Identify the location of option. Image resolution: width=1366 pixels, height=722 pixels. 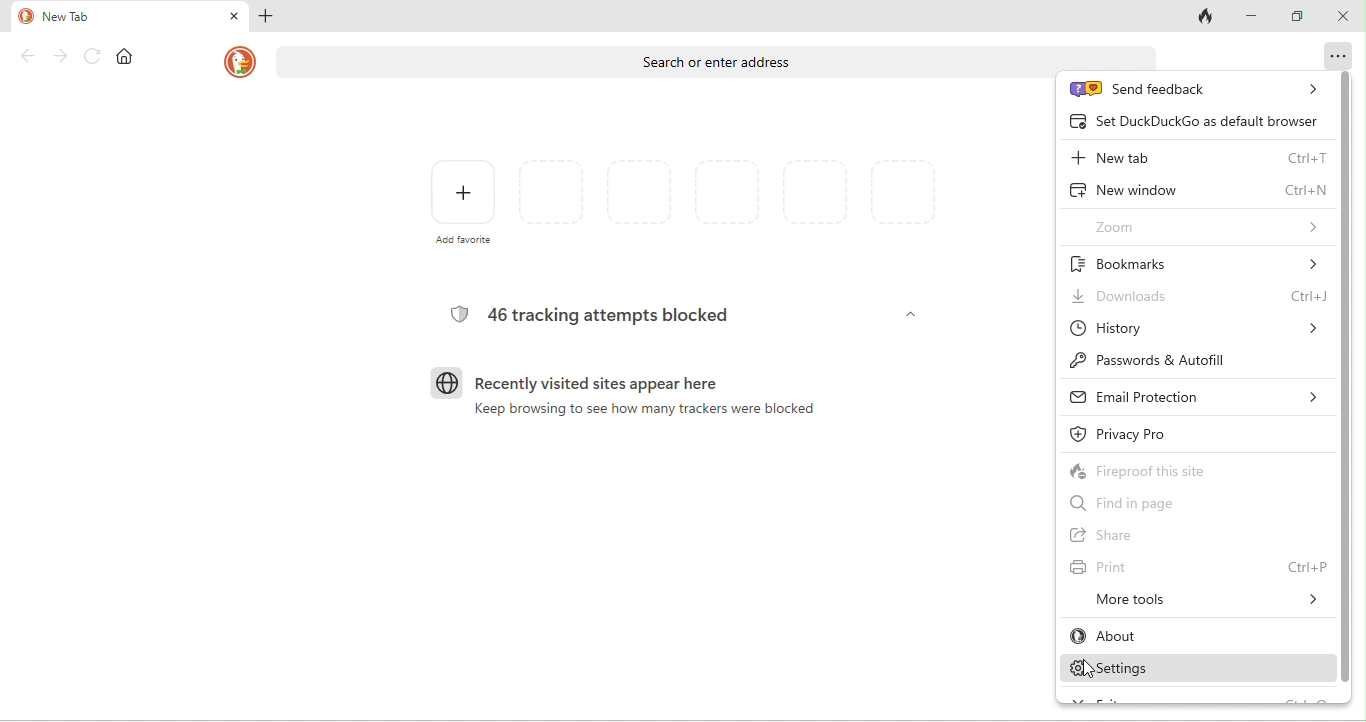
(1339, 62).